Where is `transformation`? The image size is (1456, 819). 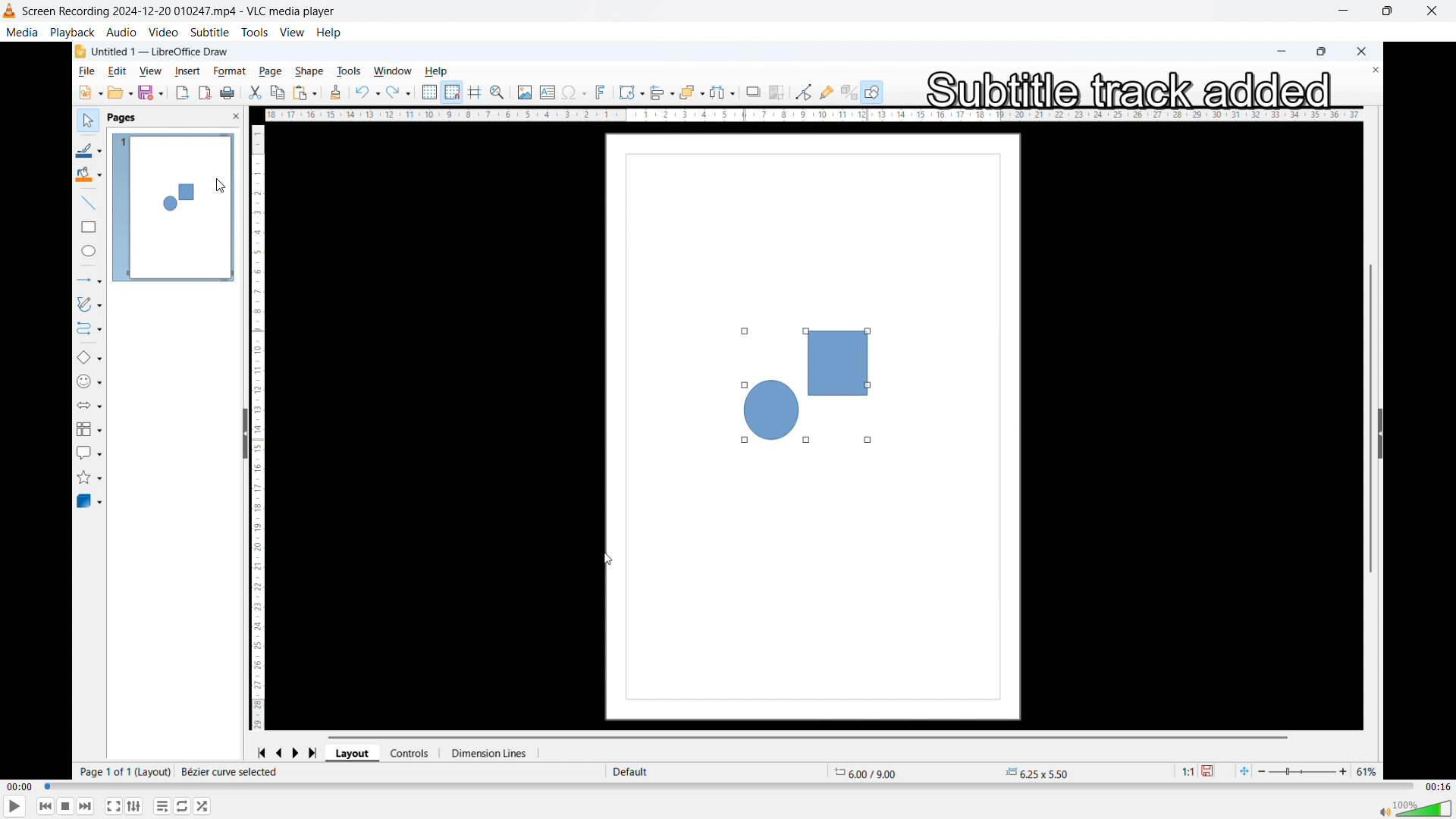 transformation is located at coordinates (631, 91).